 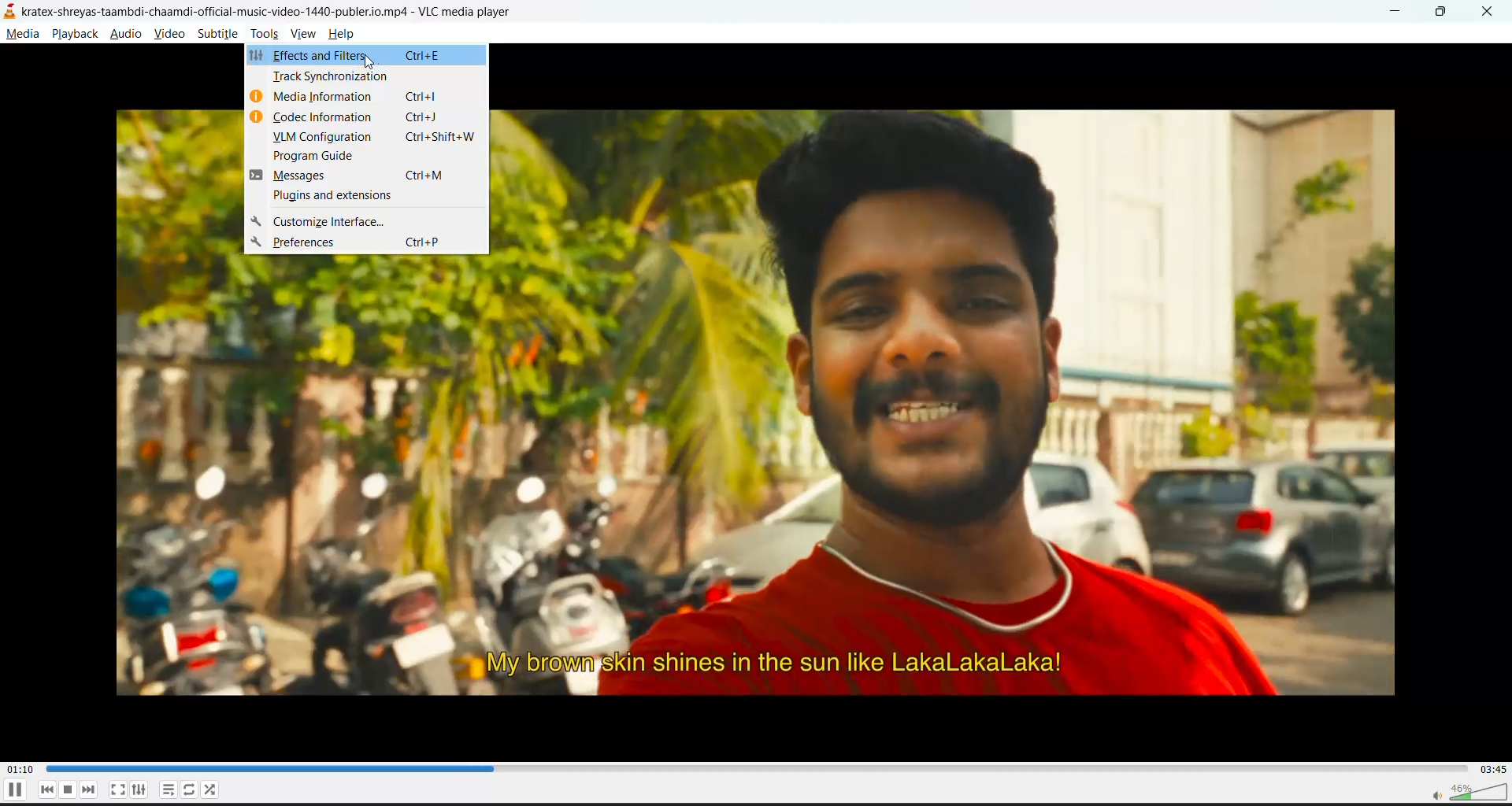 I want to click on track slider, so click(x=752, y=767).